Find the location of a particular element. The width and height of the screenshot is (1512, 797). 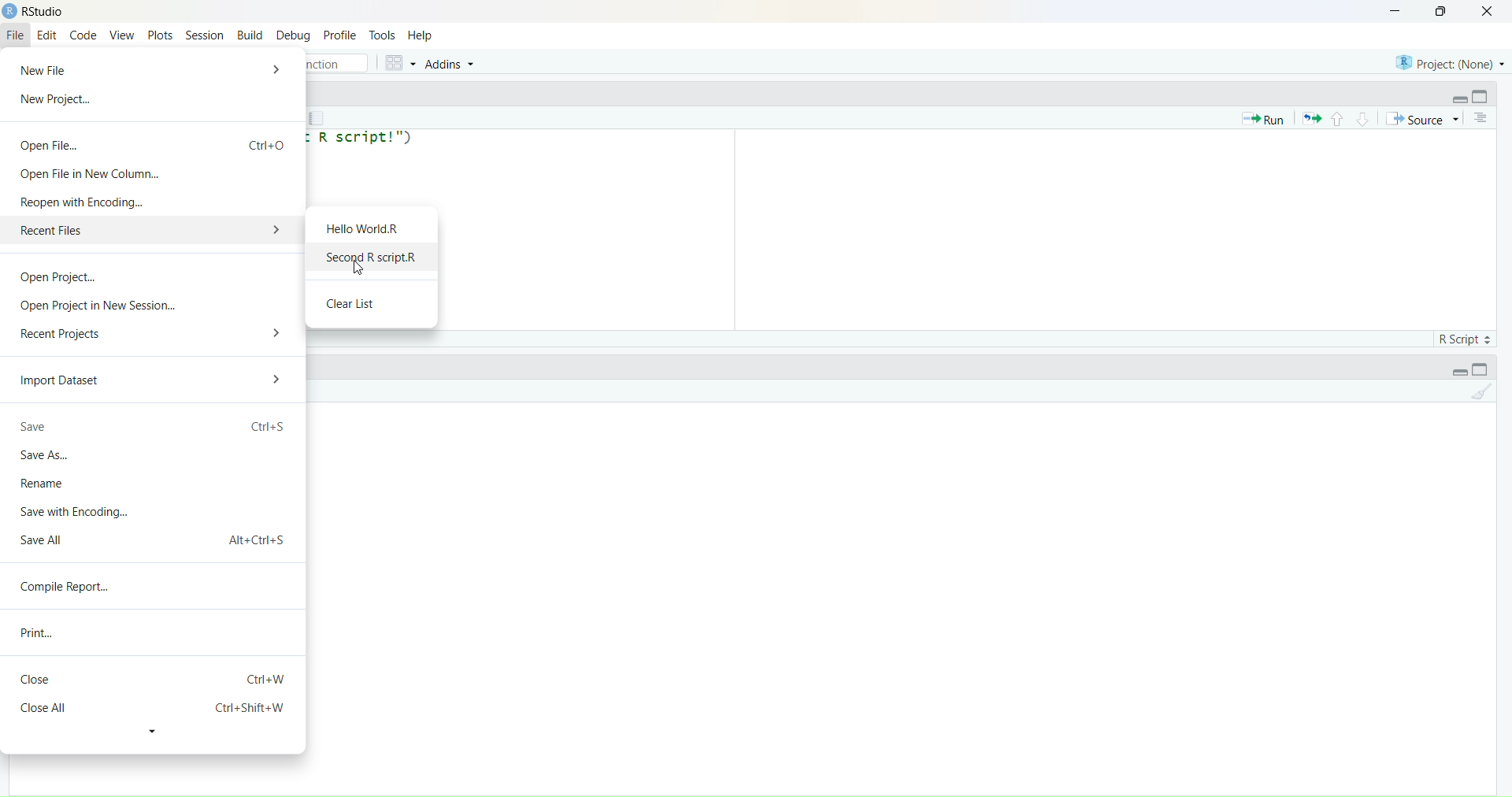

More is located at coordinates (271, 231).